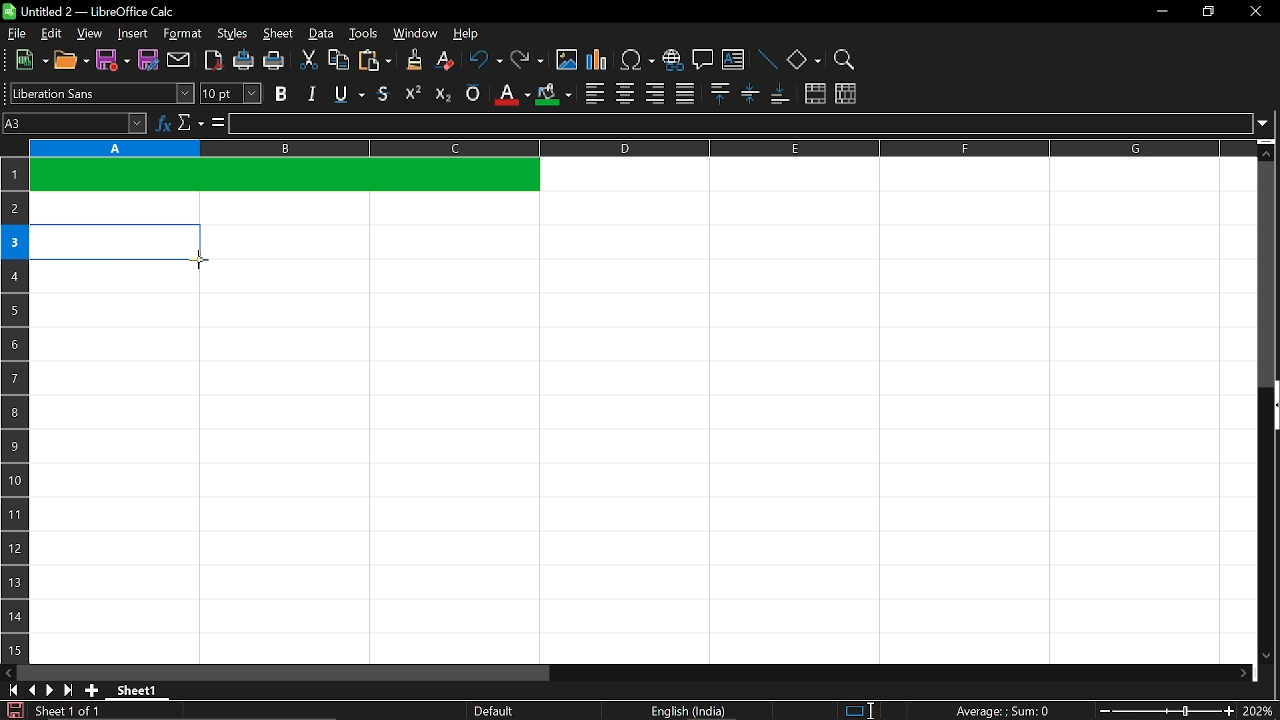  I want to click on basic shapes, so click(804, 59).